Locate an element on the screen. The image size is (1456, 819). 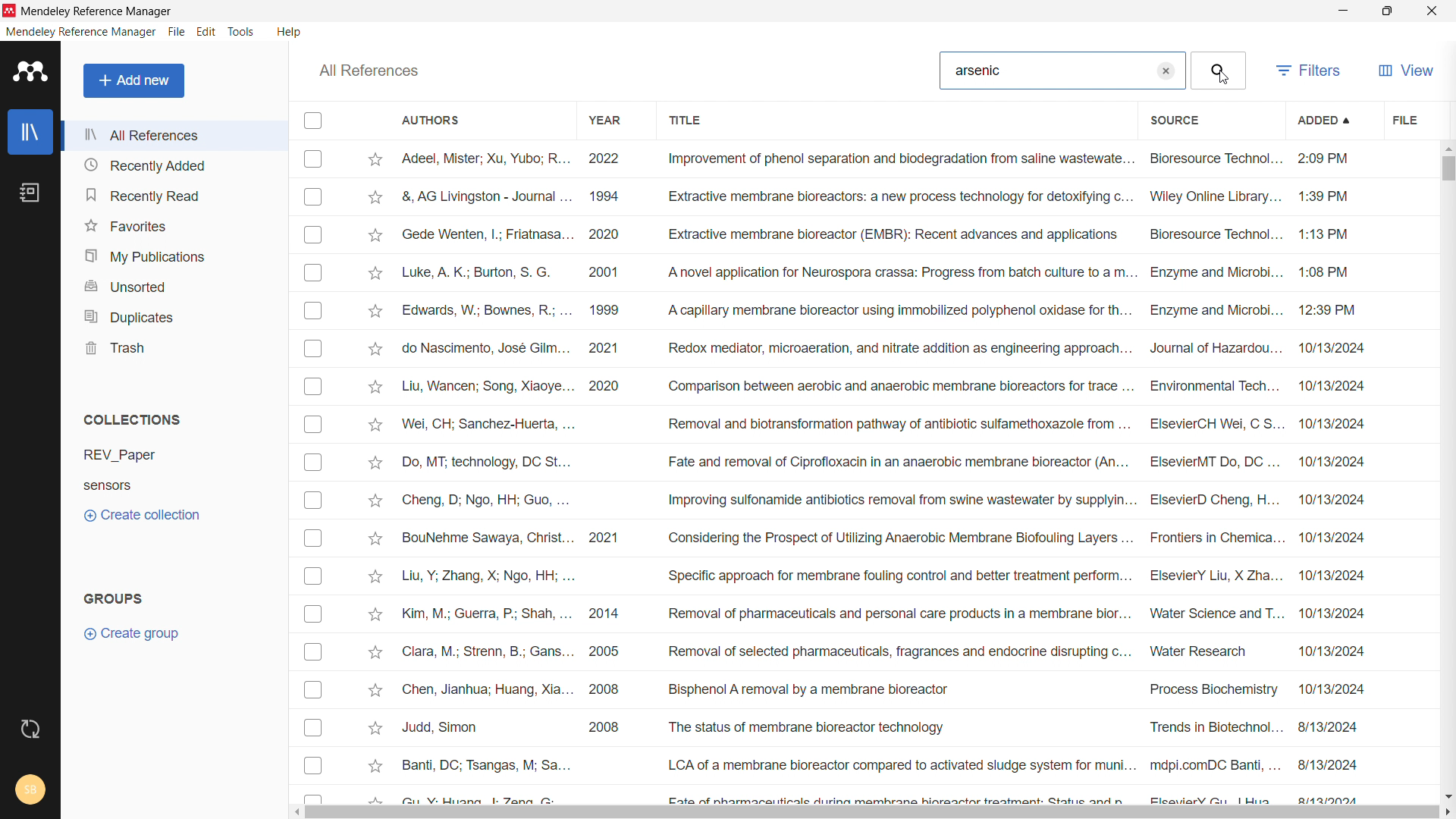
collections is located at coordinates (132, 419).